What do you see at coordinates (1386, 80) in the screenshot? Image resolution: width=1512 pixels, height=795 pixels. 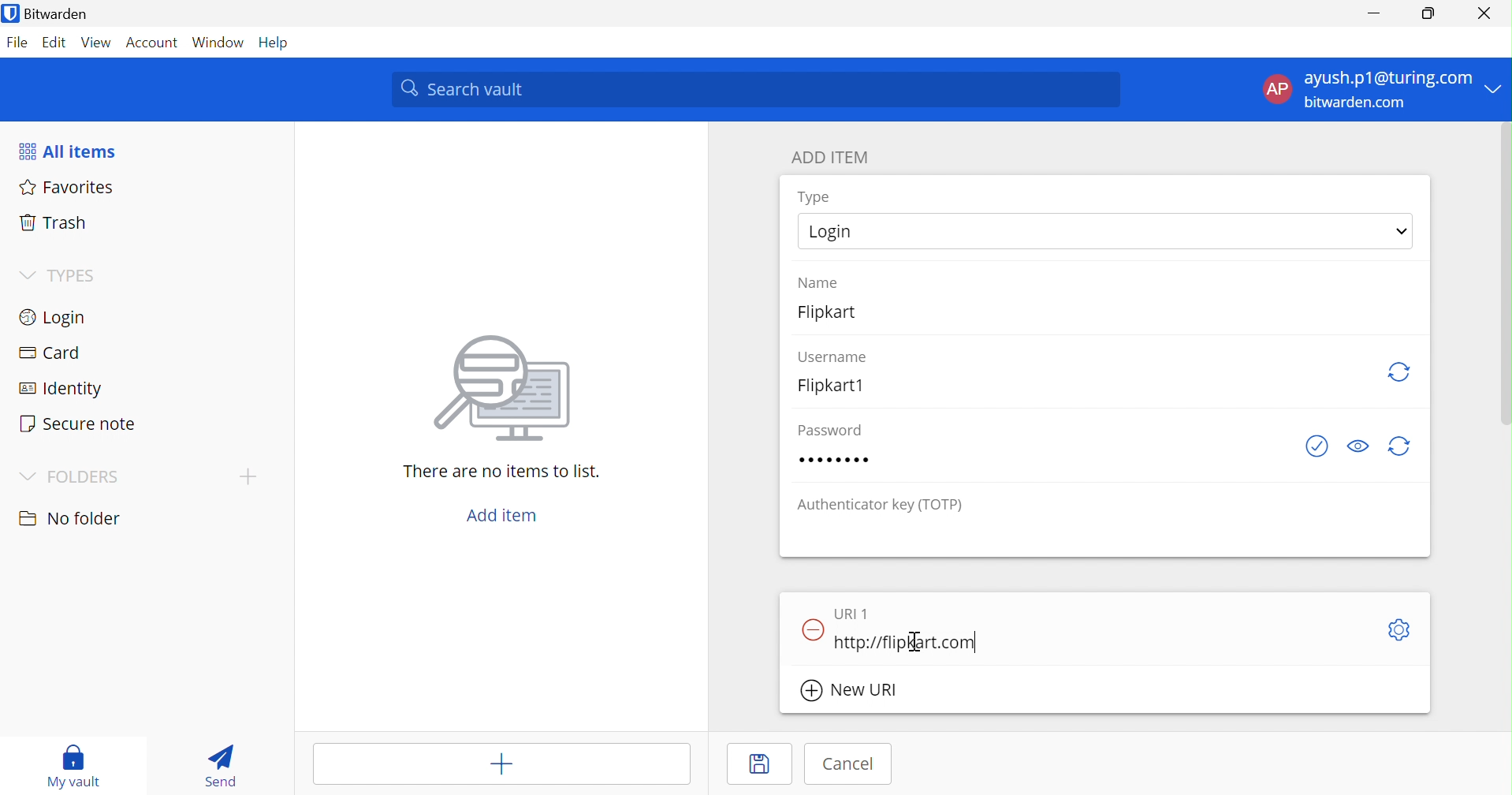 I see `ayush.p1@gmail.com` at bounding box center [1386, 80].